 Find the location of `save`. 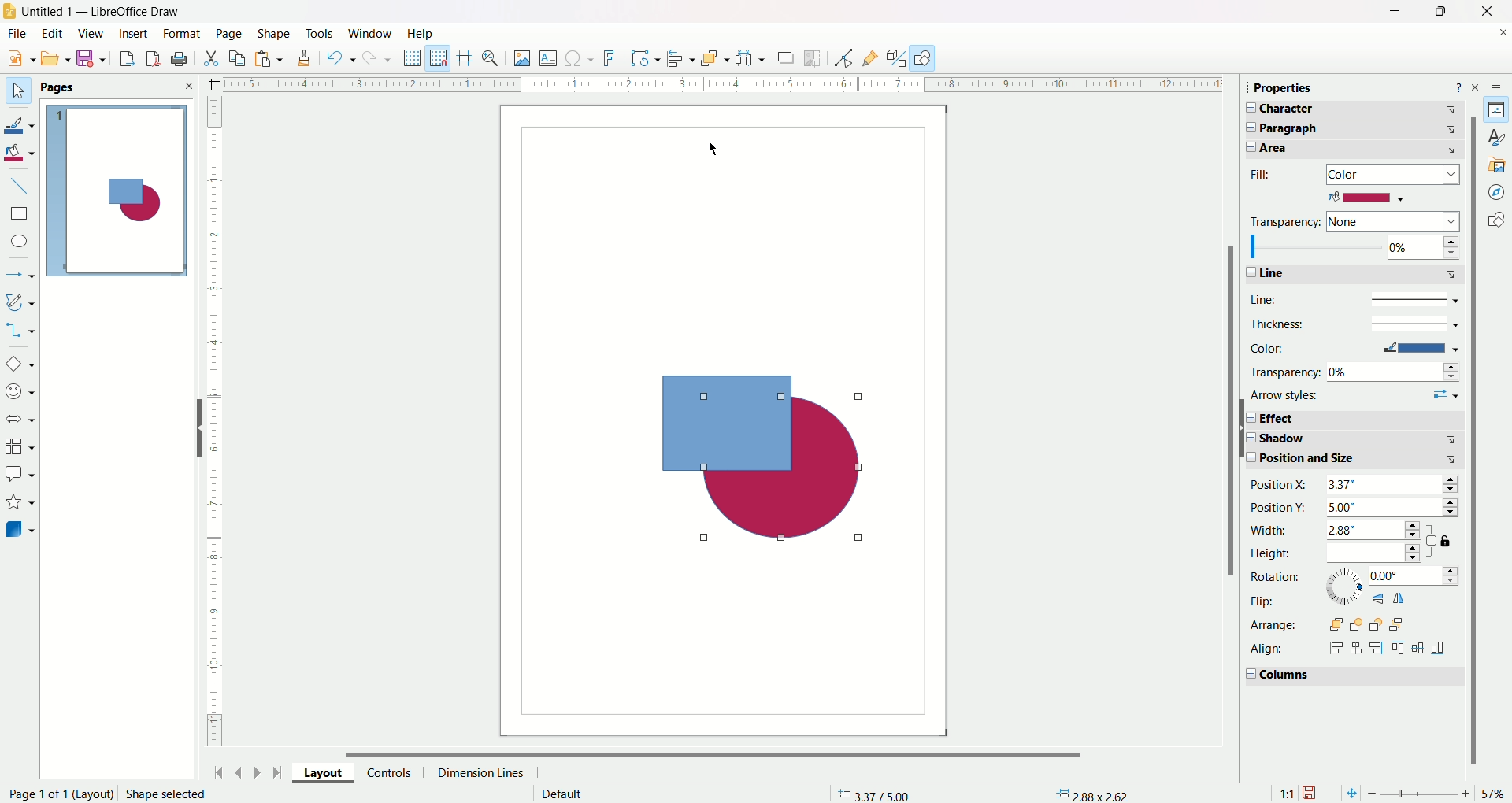

save is located at coordinates (94, 60).